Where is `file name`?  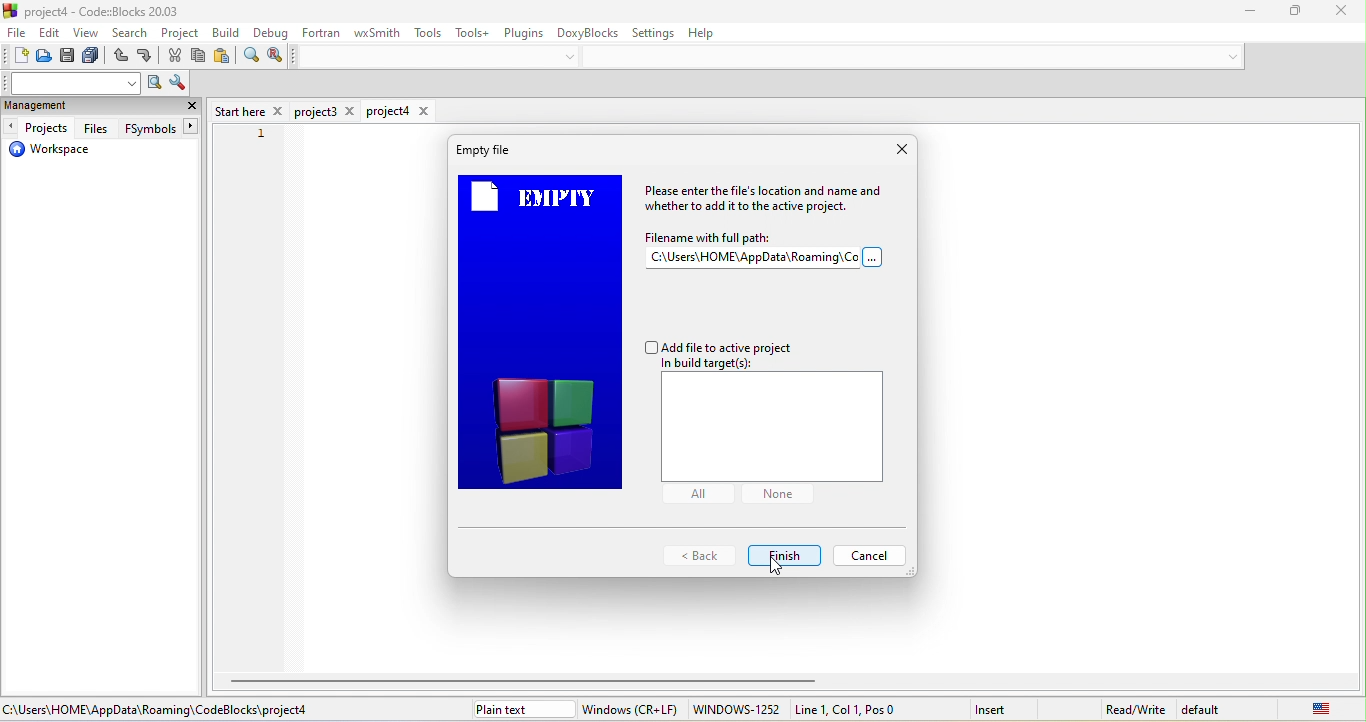 file name is located at coordinates (766, 252).